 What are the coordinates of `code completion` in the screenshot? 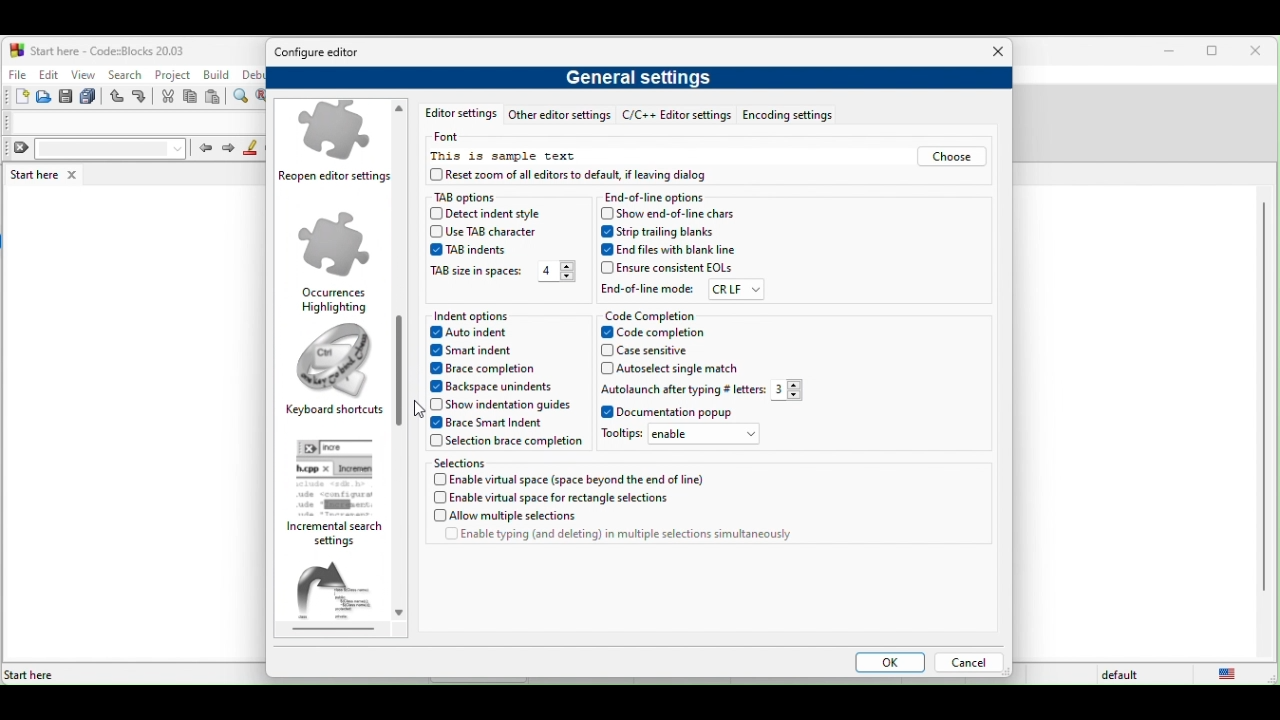 It's located at (653, 315).